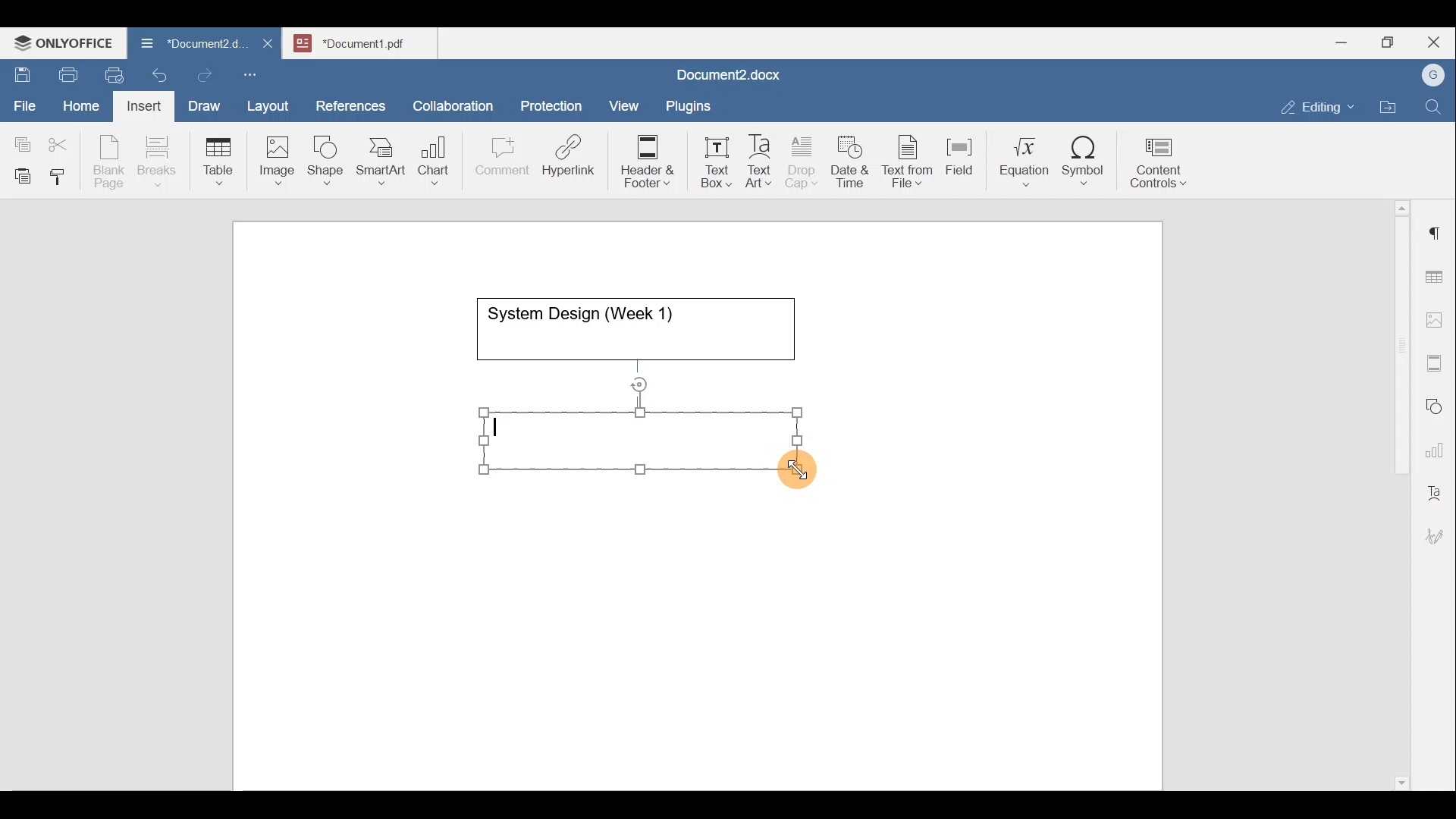 This screenshot has height=819, width=1456. What do you see at coordinates (450, 98) in the screenshot?
I see `Collaboration` at bounding box center [450, 98].